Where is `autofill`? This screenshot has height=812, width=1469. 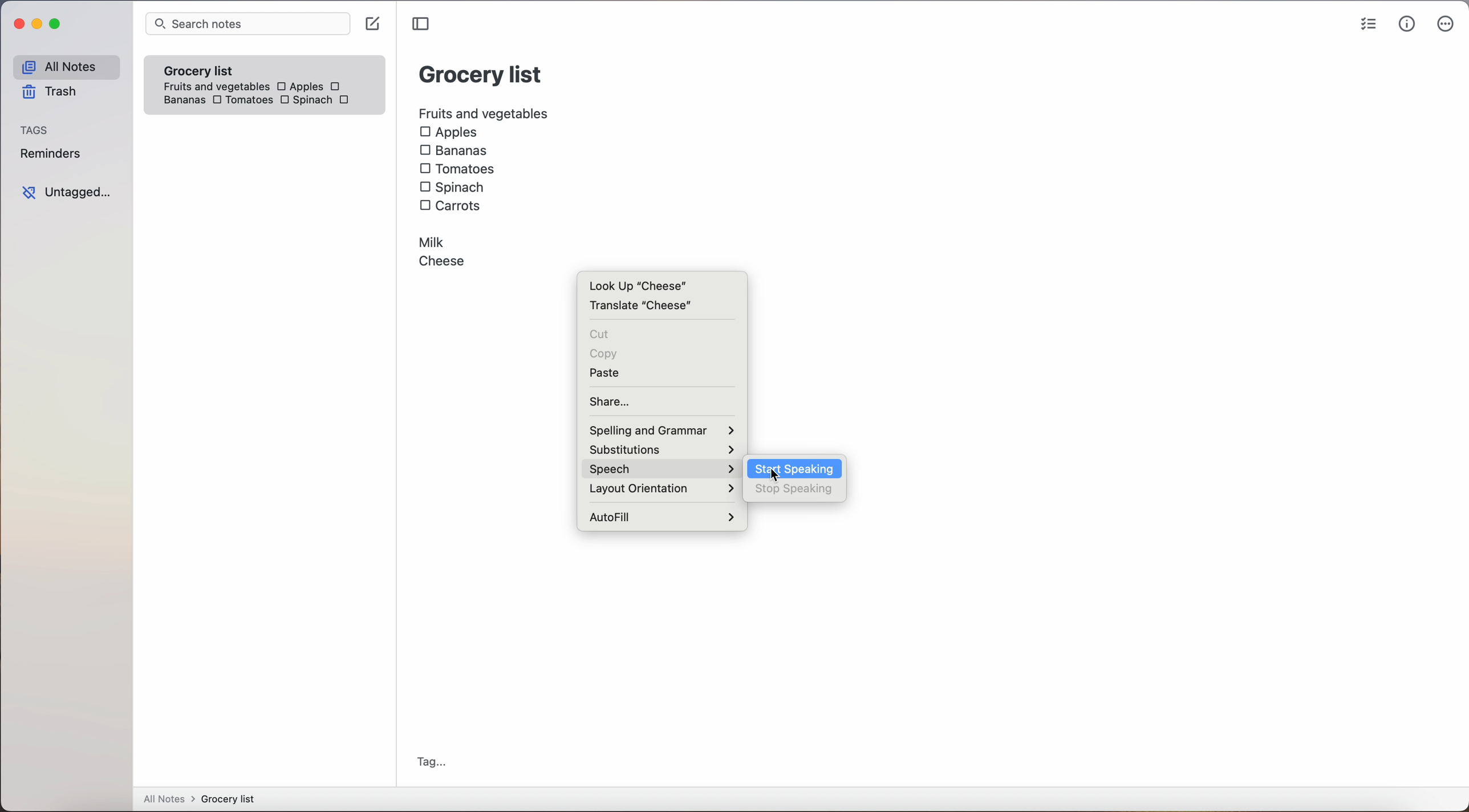
autofill is located at coordinates (662, 515).